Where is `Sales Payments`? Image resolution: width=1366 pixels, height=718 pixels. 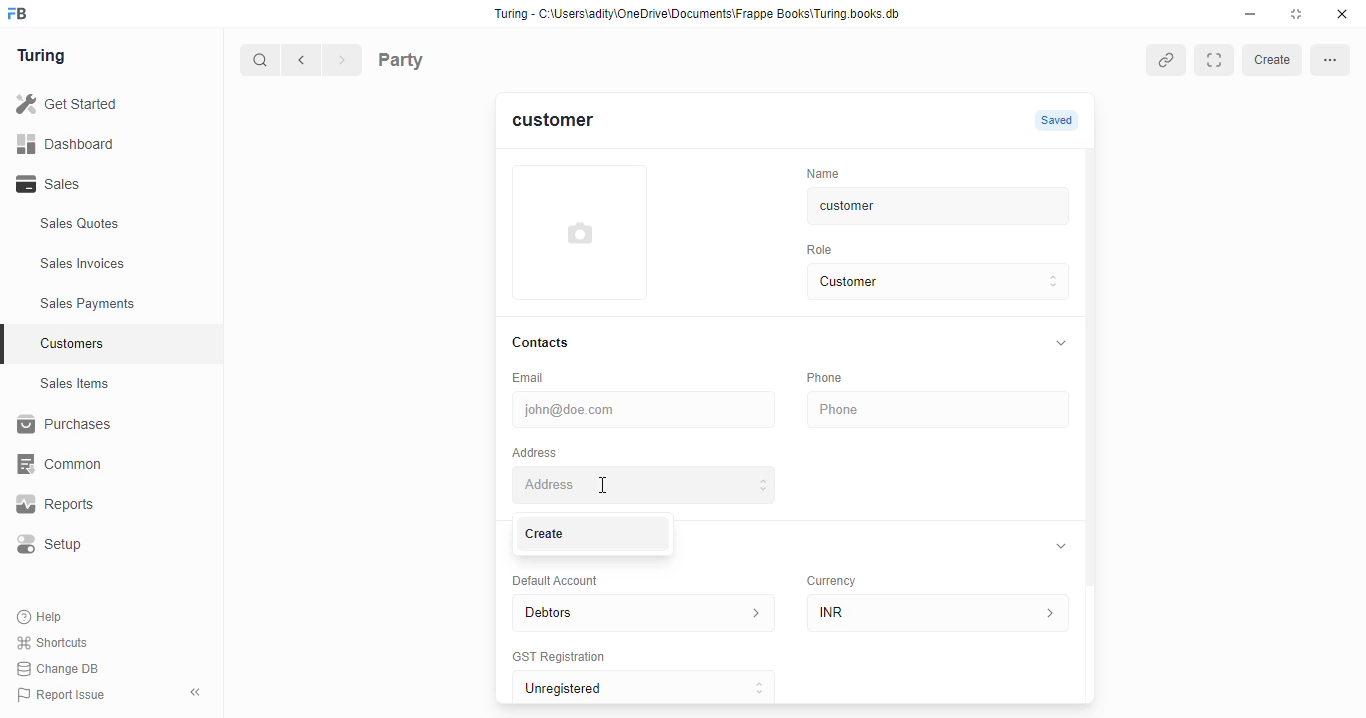
Sales Payments is located at coordinates (118, 304).